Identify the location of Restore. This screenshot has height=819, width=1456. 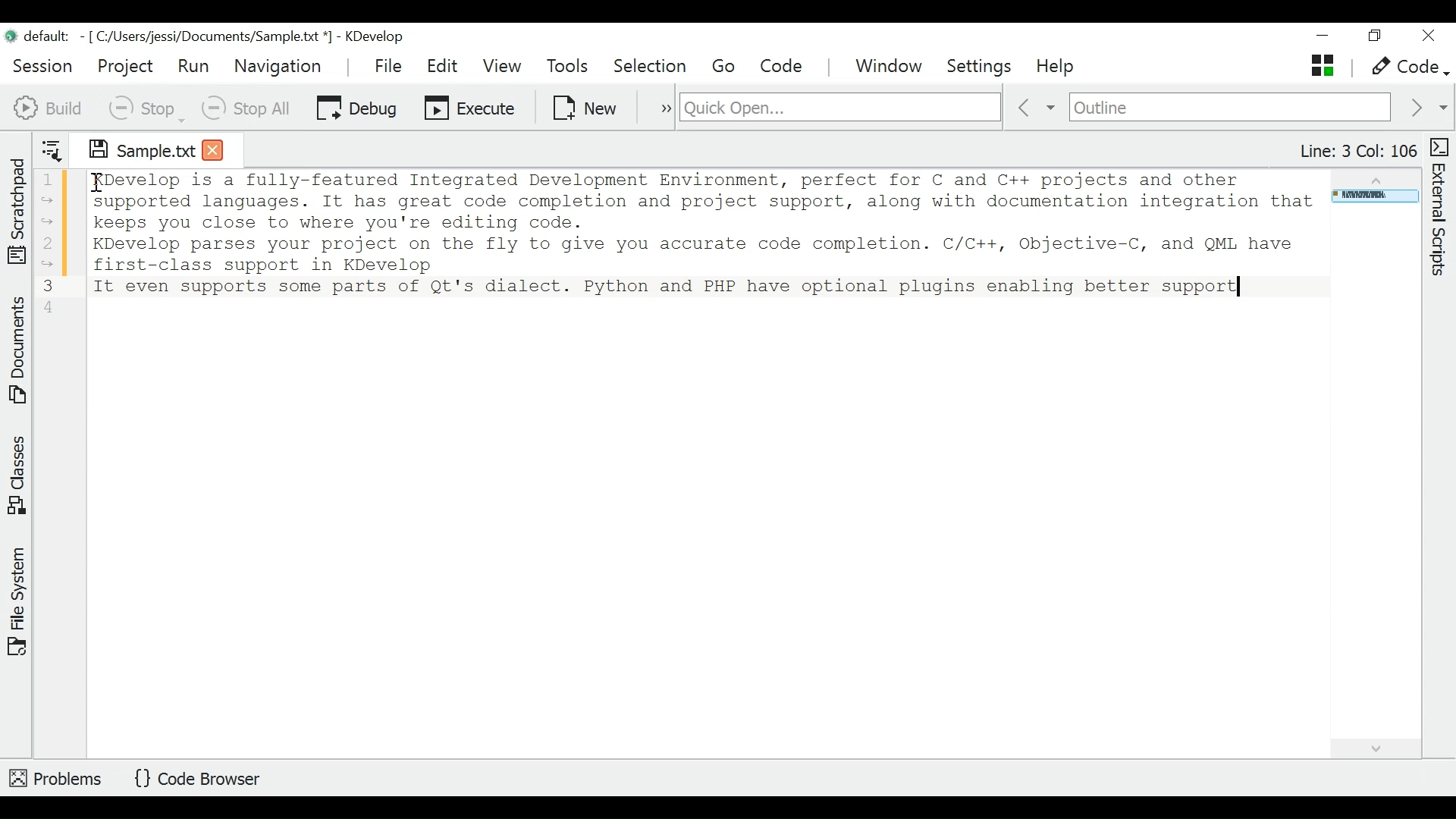
(1373, 38).